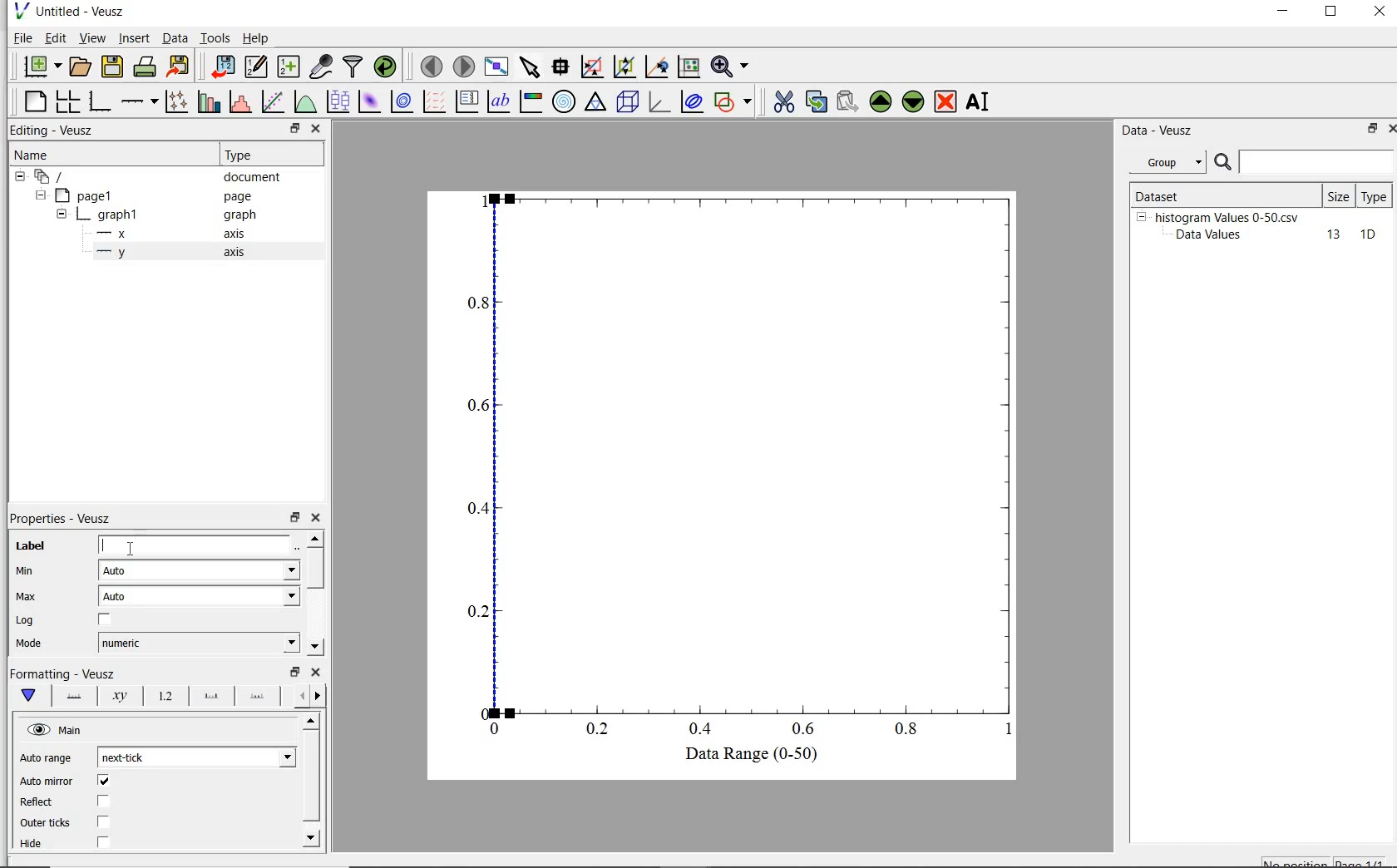 The image size is (1397, 868). What do you see at coordinates (1160, 131) in the screenshot?
I see `Data - vesuz` at bounding box center [1160, 131].